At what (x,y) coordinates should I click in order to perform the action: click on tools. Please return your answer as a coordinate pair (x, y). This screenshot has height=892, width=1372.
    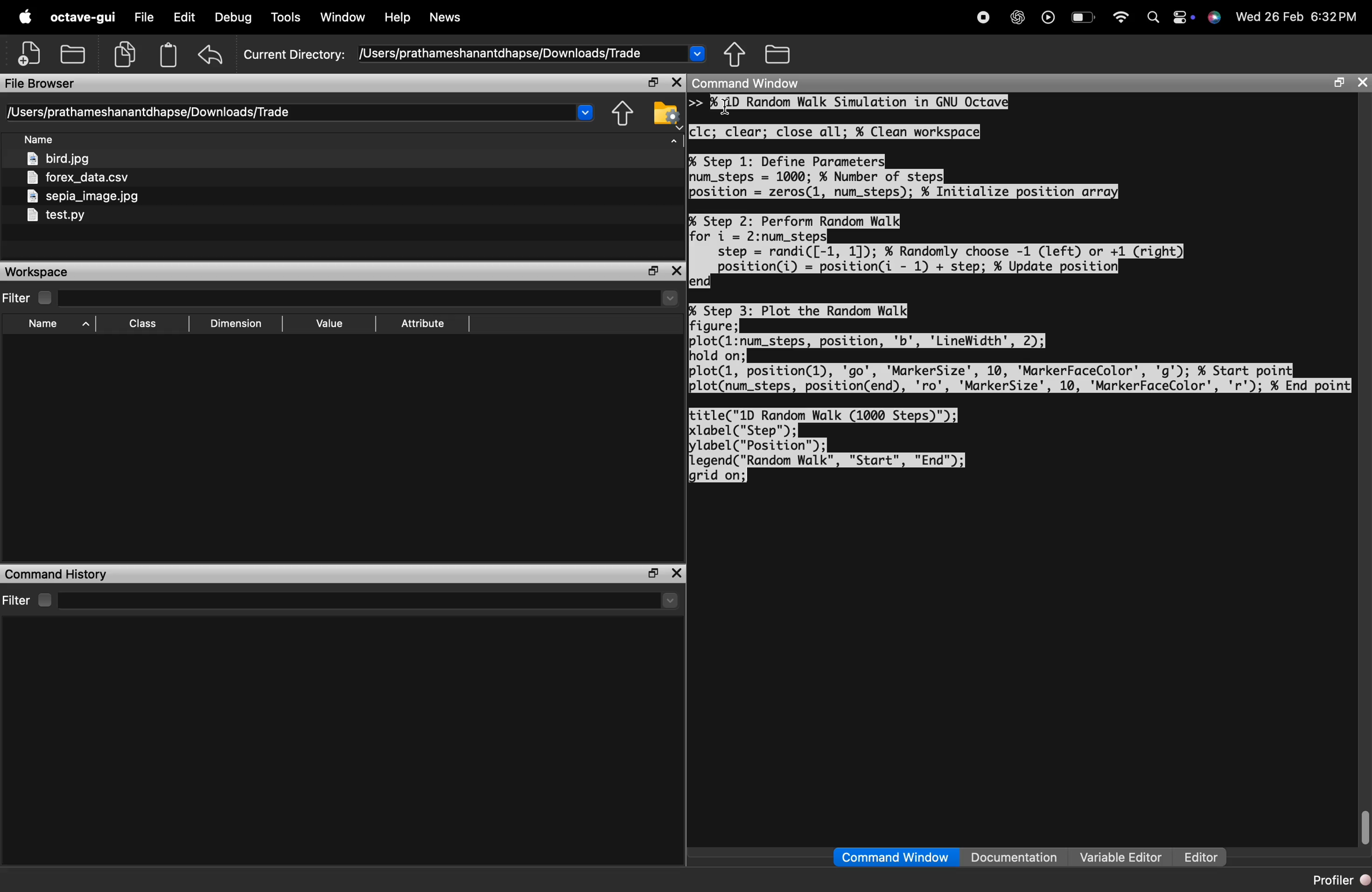
    Looking at the image, I should click on (287, 19).